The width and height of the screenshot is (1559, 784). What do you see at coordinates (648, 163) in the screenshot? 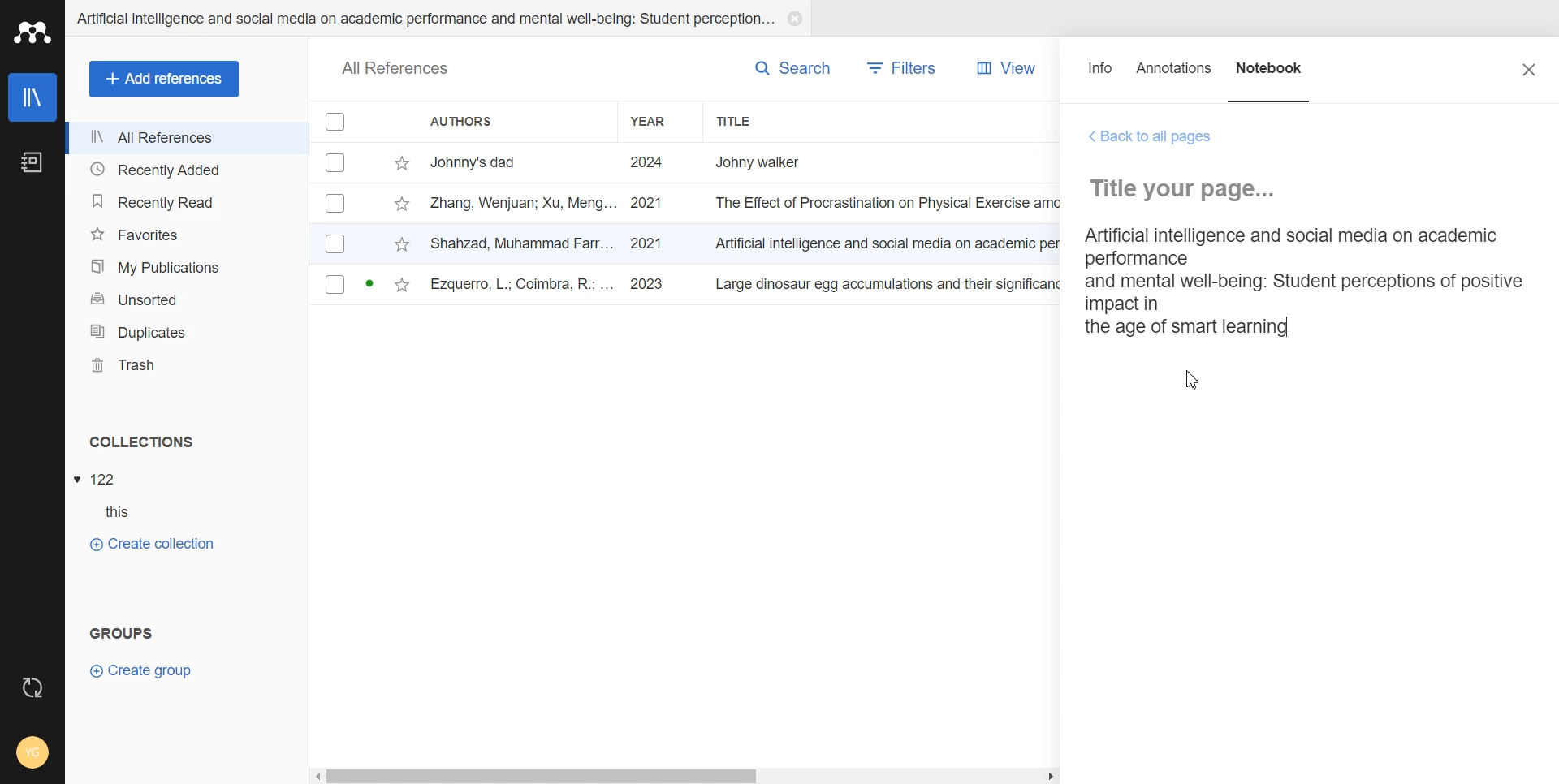
I see `2024` at bounding box center [648, 163].